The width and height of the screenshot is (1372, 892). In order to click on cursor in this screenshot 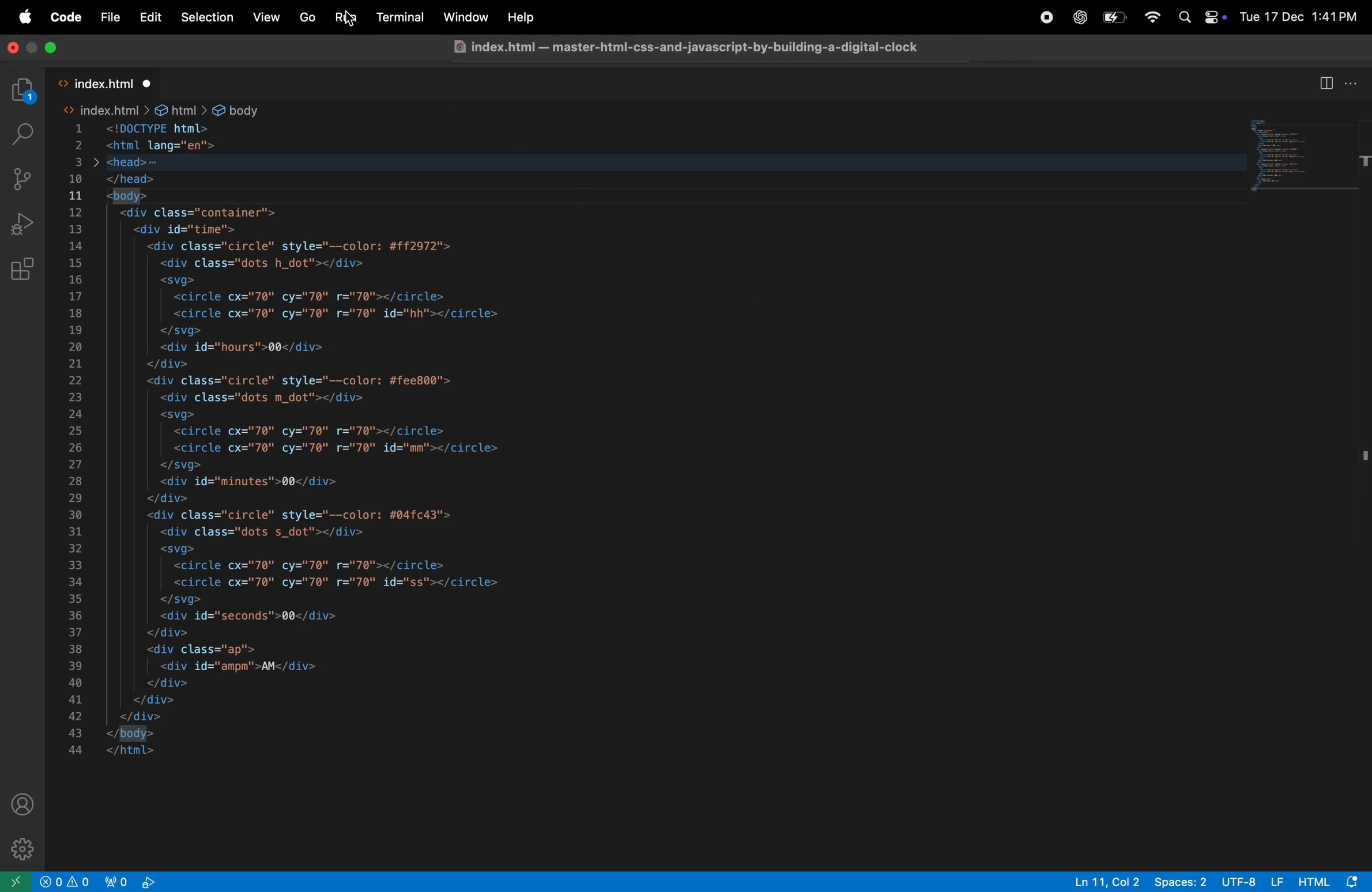, I will do `click(351, 20)`.